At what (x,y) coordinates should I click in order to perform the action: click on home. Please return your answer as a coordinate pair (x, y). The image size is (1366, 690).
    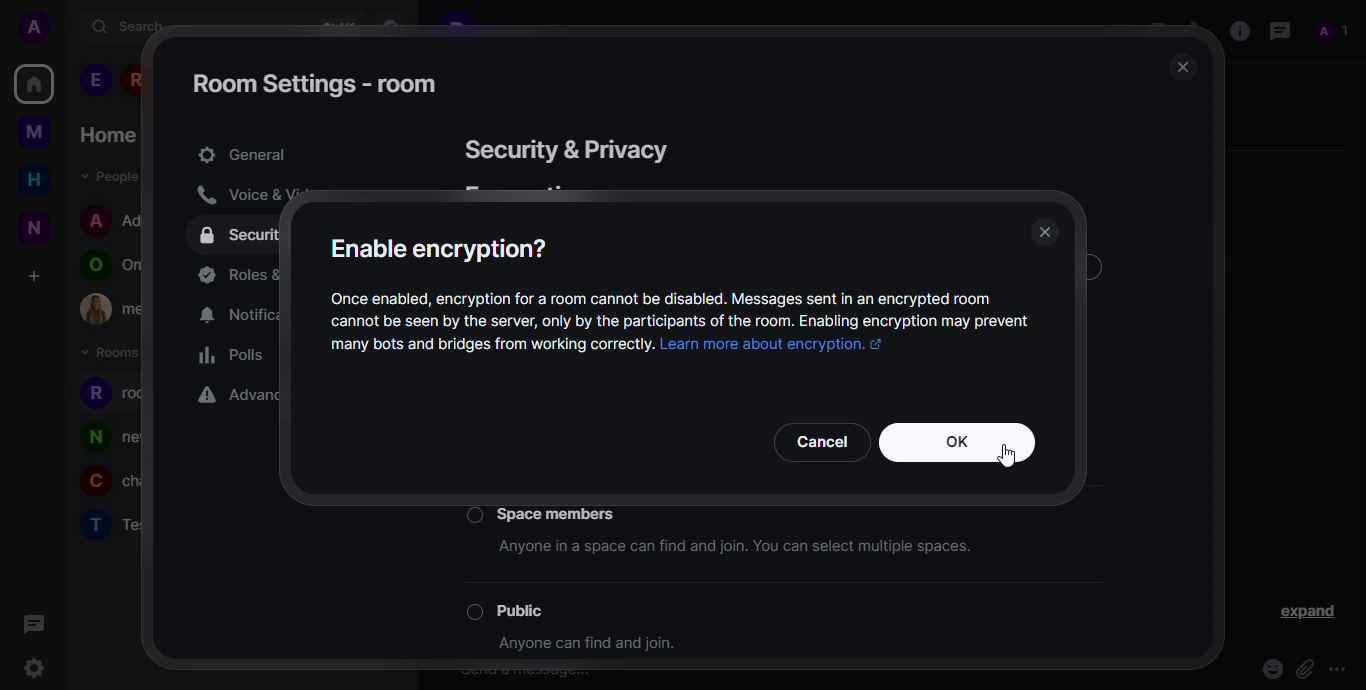
    Looking at the image, I should click on (107, 135).